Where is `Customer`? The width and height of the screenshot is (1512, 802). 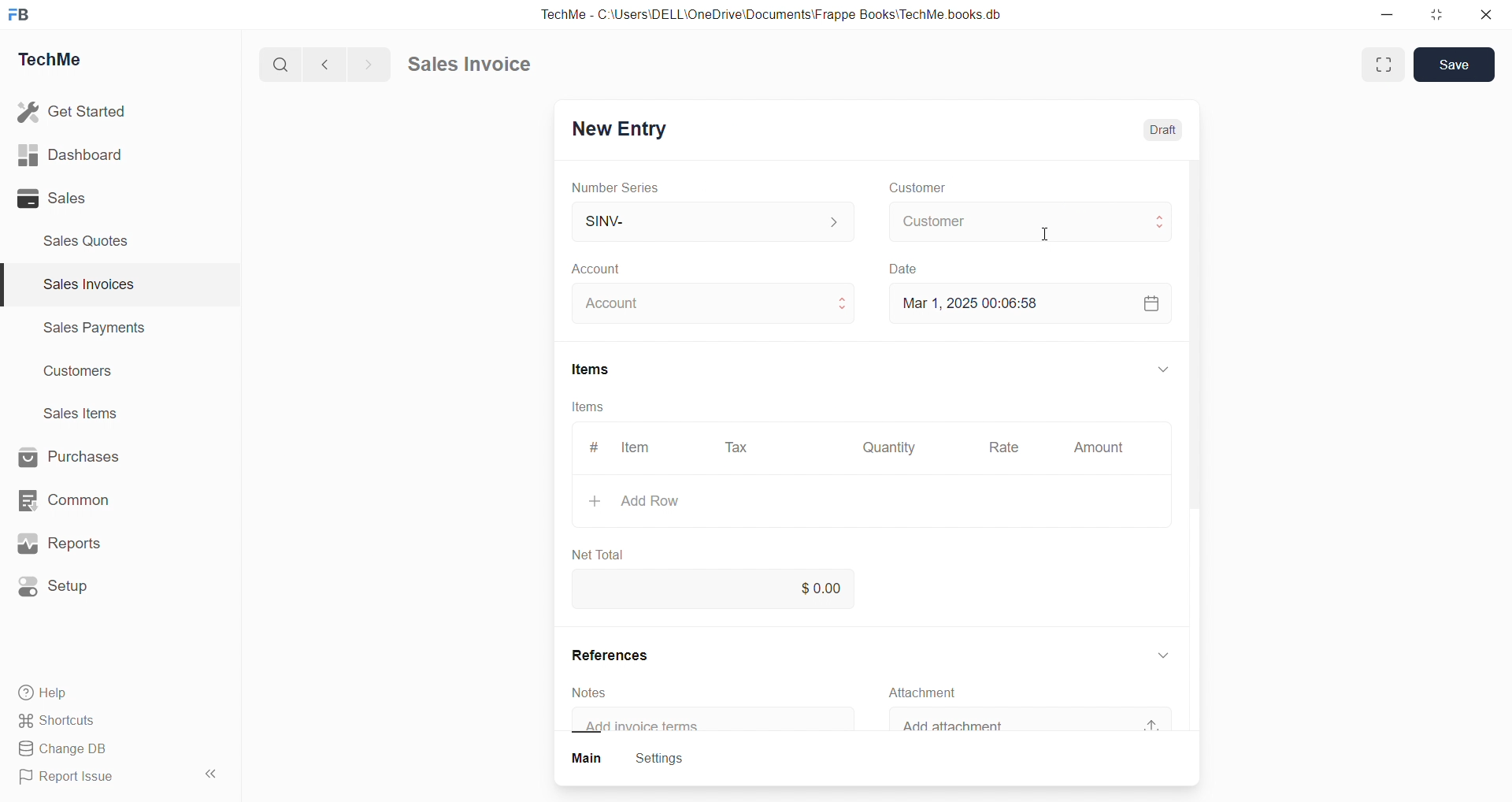 Customer is located at coordinates (918, 188).